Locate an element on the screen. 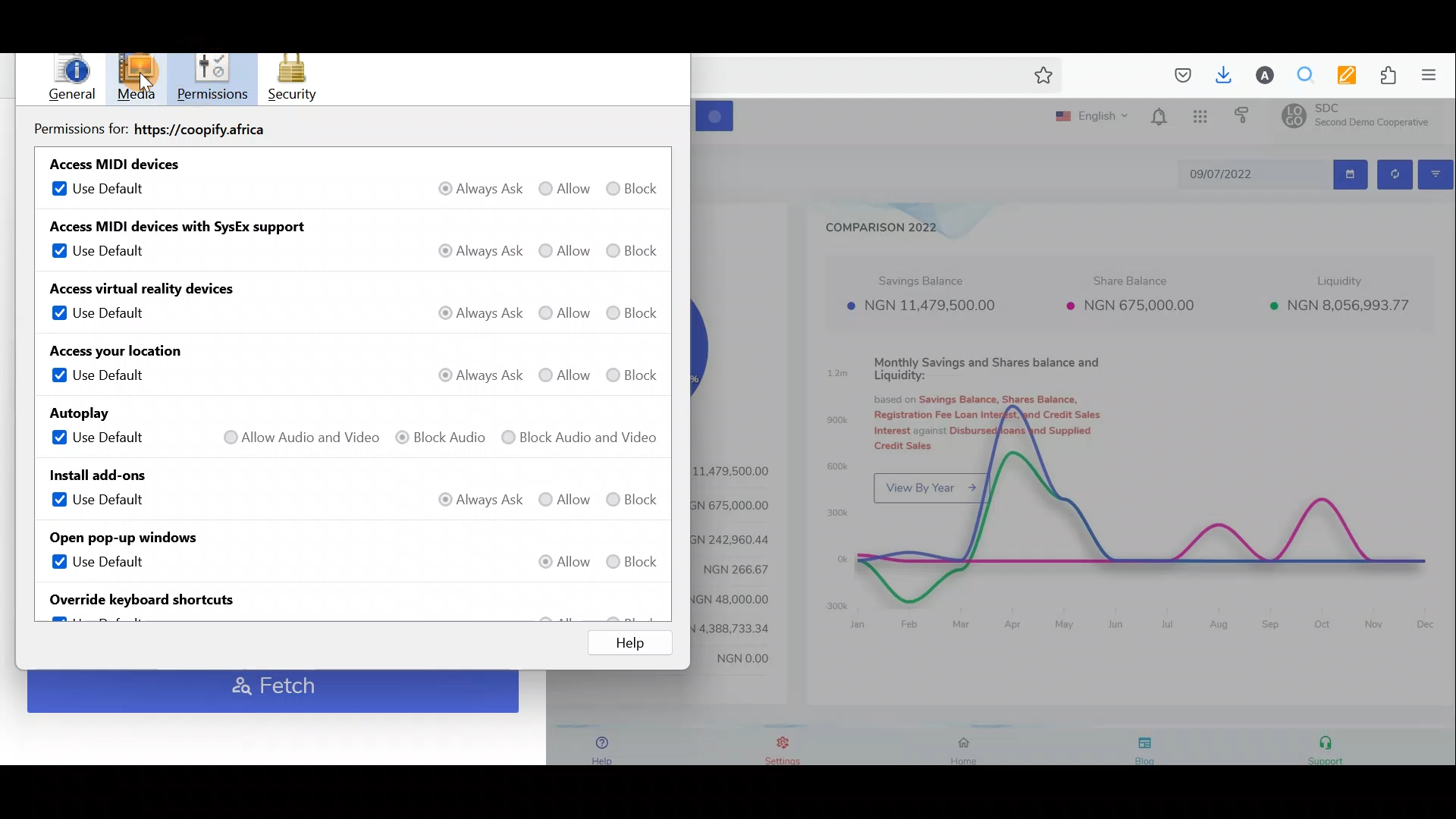  Access MIDI devices is located at coordinates (168, 164).